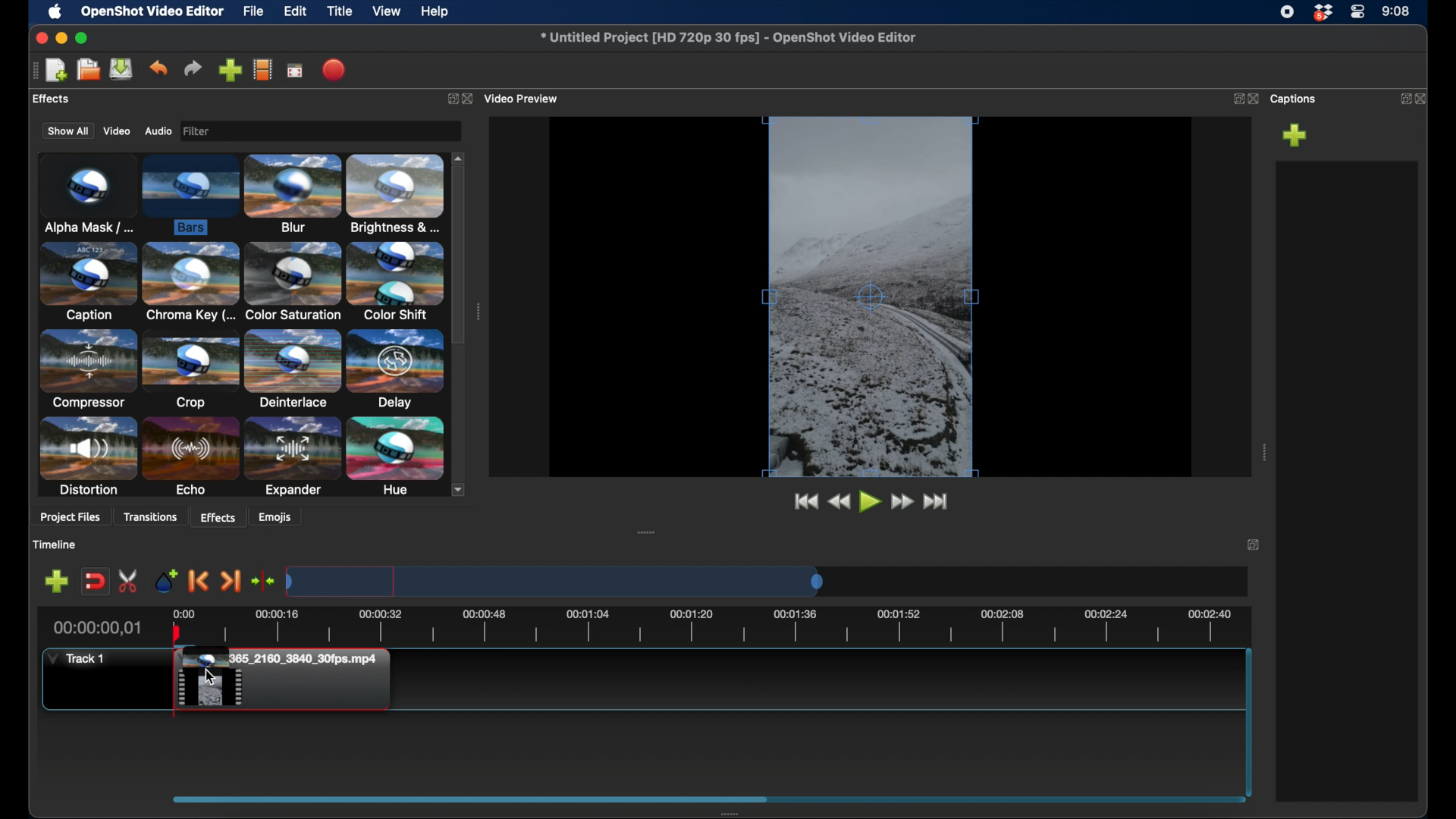 The width and height of the screenshot is (1456, 819). What do you see at coordinates (57, 69) in the screenshot?
I see `new project` at bounding box center [57, 69].